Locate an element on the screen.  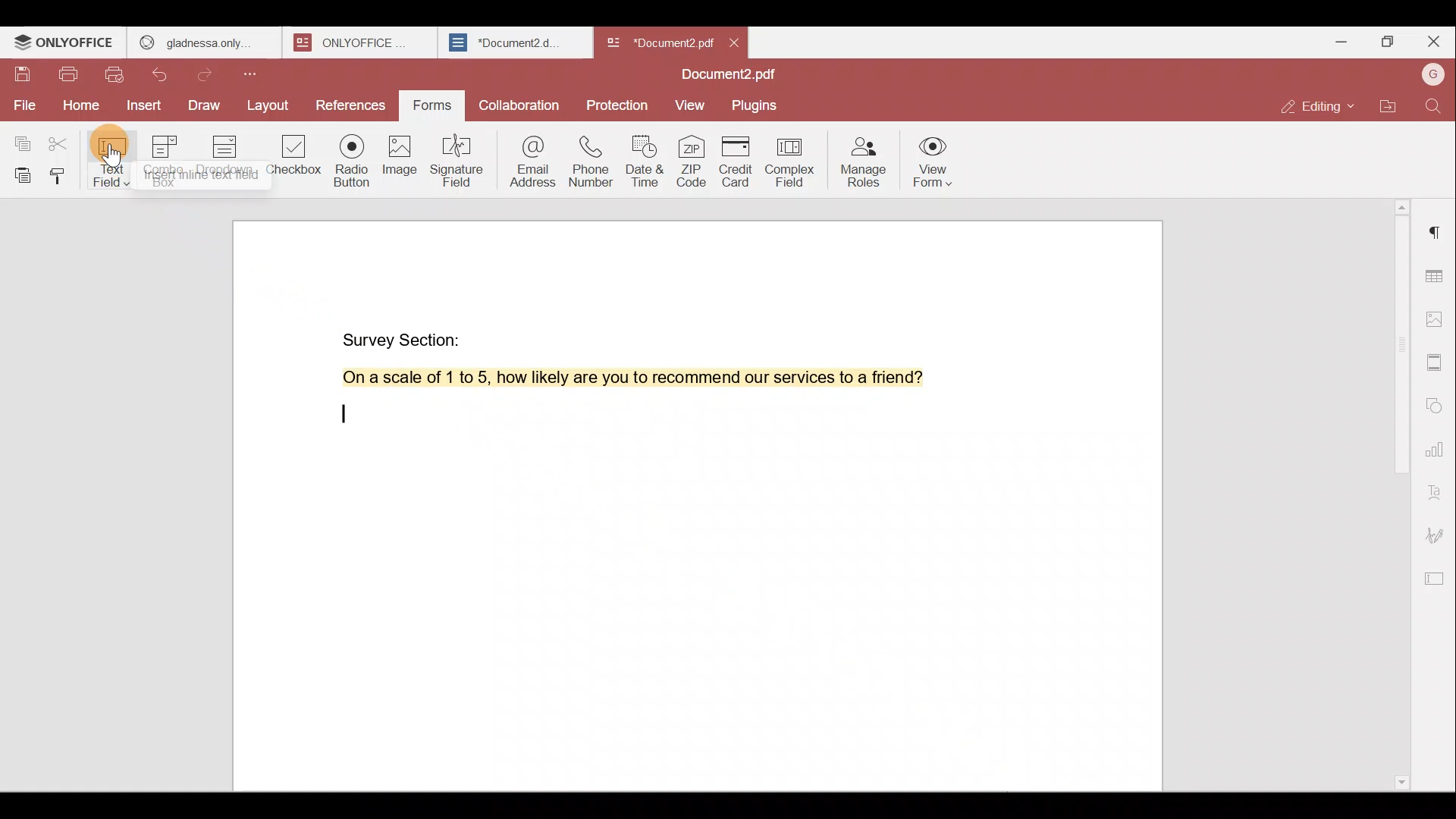
Document2.pdf is located at coordinates (657, 42).